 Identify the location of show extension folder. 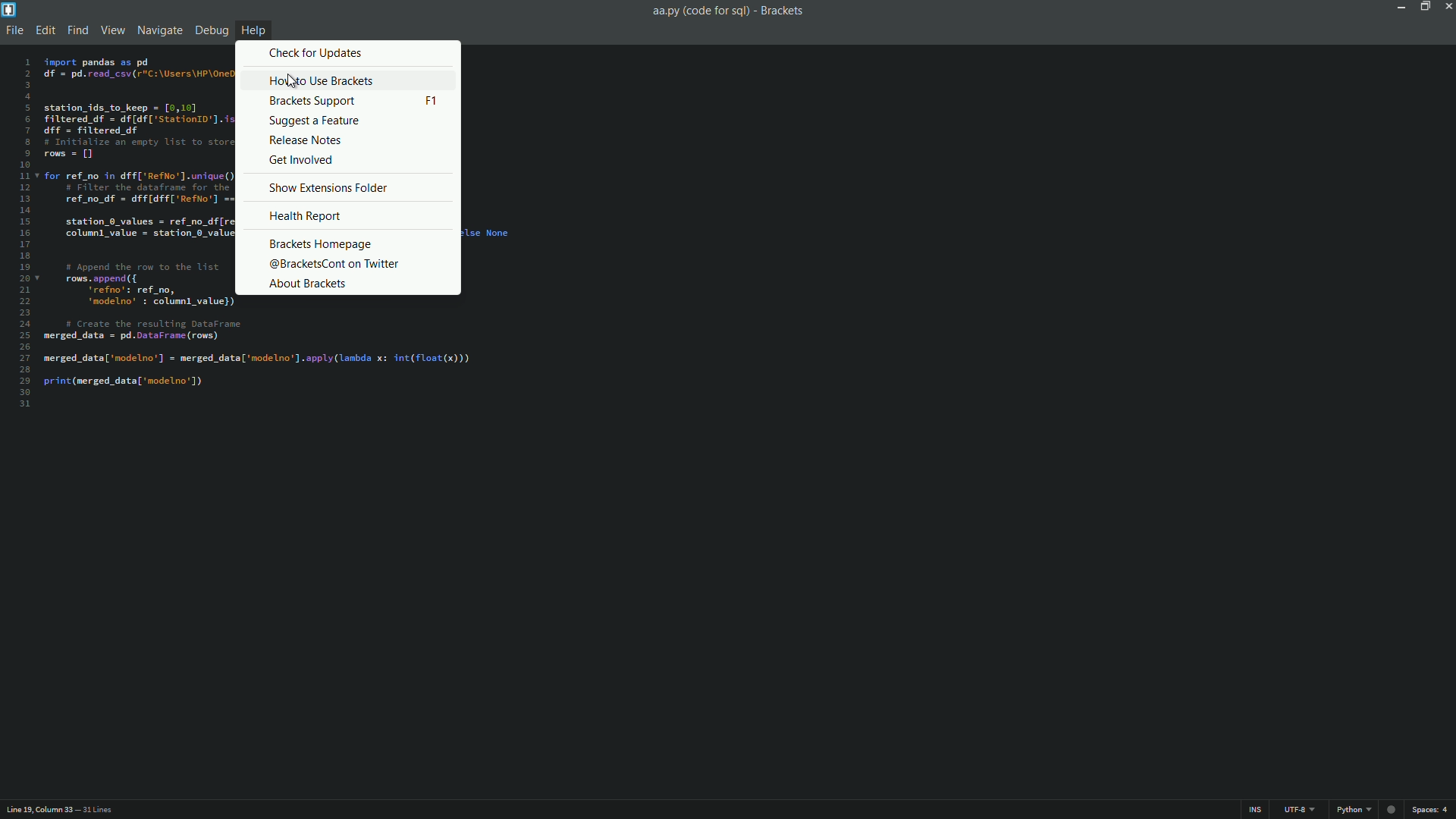
(330, 187).